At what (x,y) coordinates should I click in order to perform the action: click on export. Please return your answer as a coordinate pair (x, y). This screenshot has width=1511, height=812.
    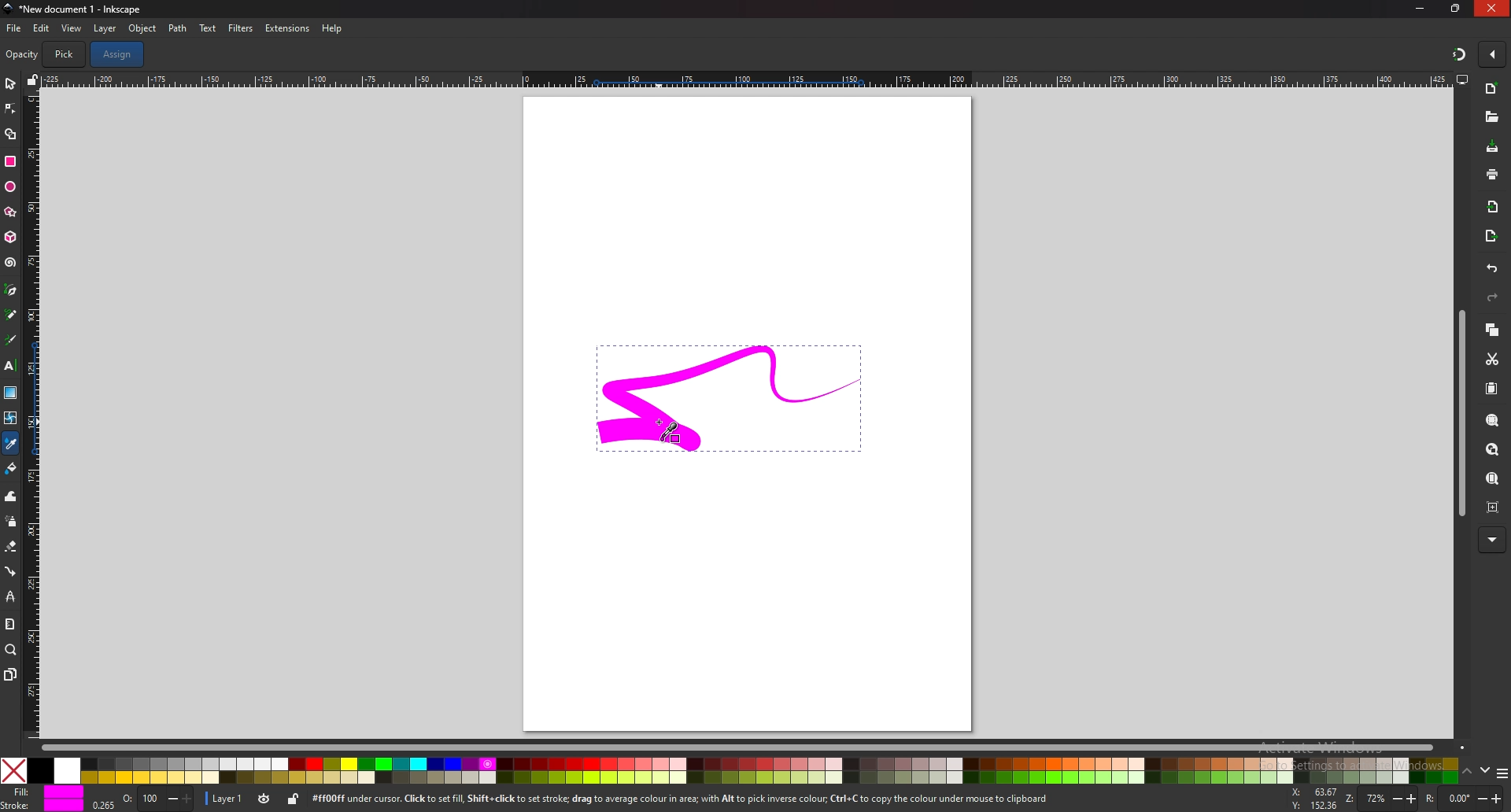
    Looking at the image, I should click on (1491, 236).